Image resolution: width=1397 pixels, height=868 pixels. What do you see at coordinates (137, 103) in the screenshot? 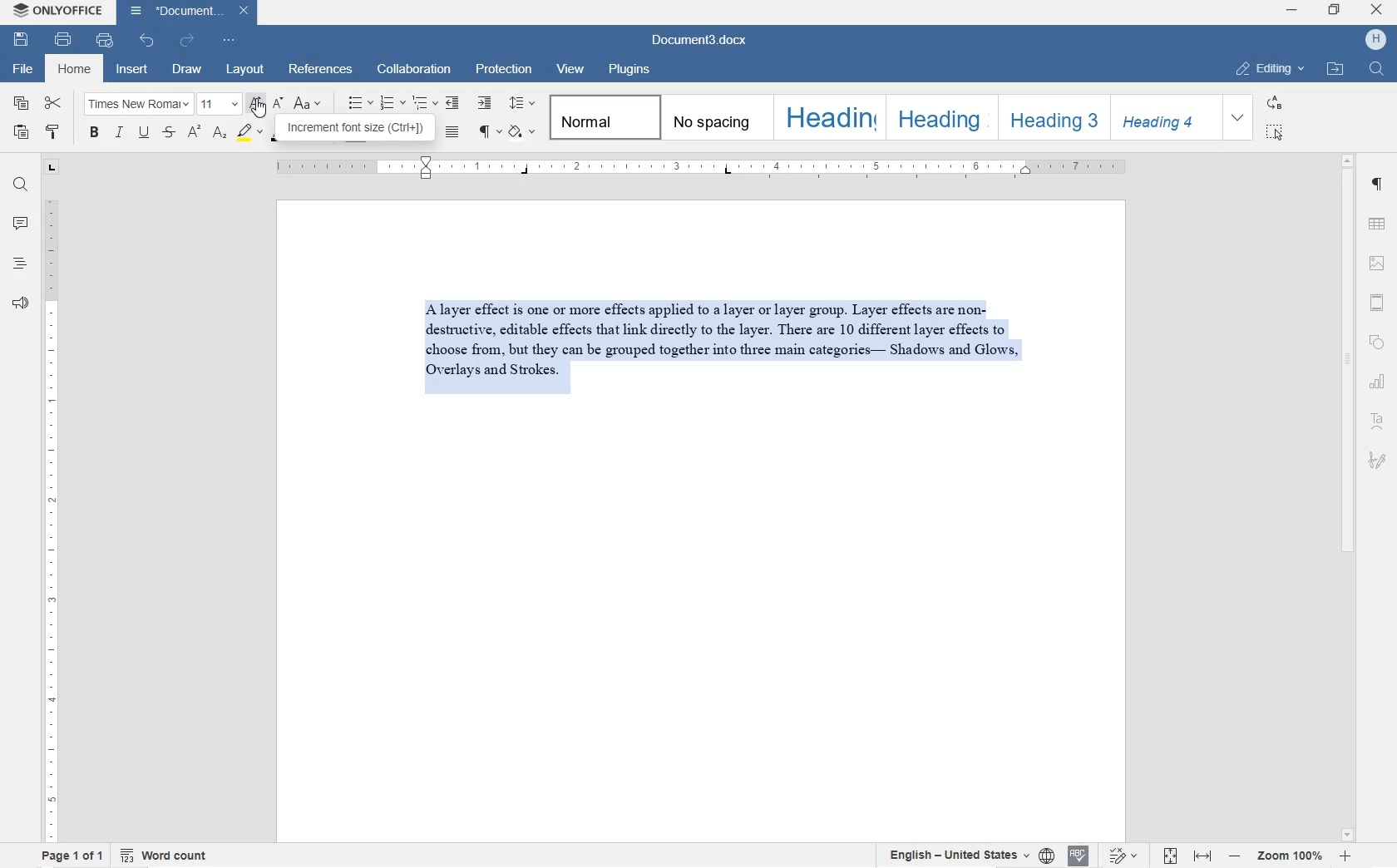
I see `font name` at bounding box center [137, 103].